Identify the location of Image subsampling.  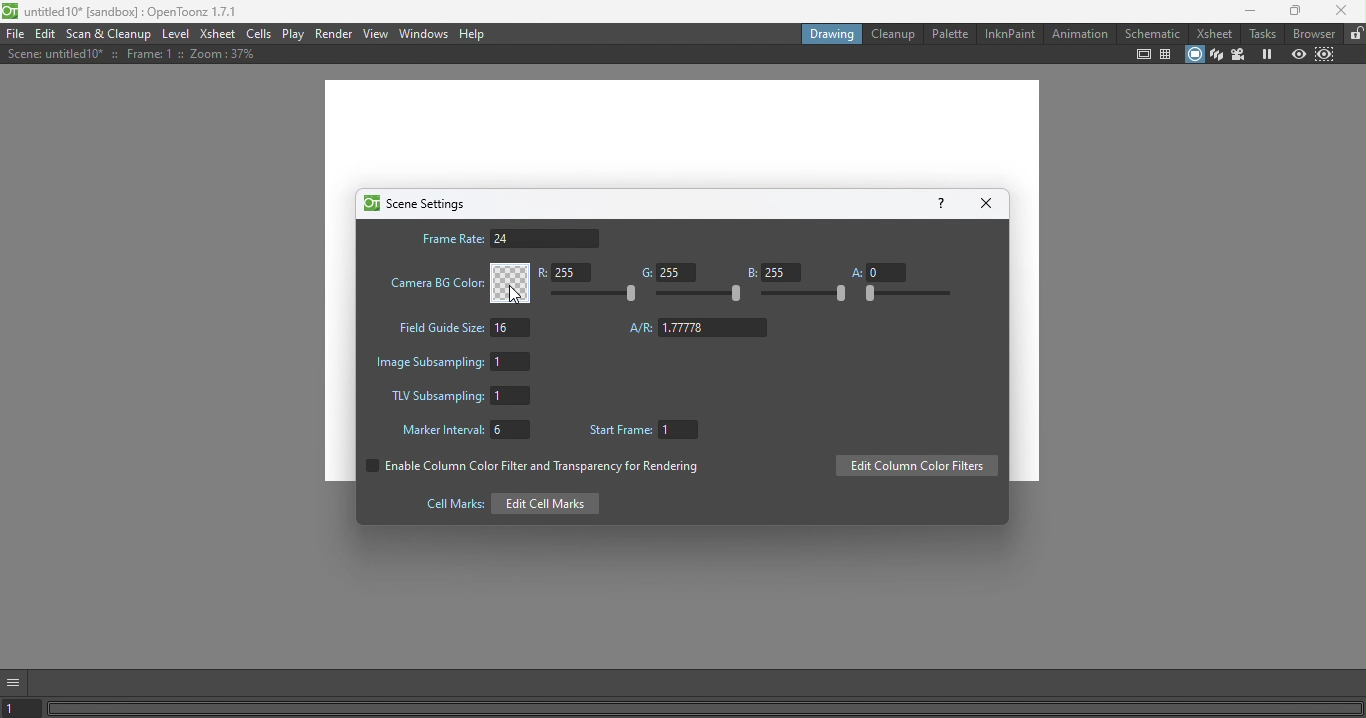
(457, 360).